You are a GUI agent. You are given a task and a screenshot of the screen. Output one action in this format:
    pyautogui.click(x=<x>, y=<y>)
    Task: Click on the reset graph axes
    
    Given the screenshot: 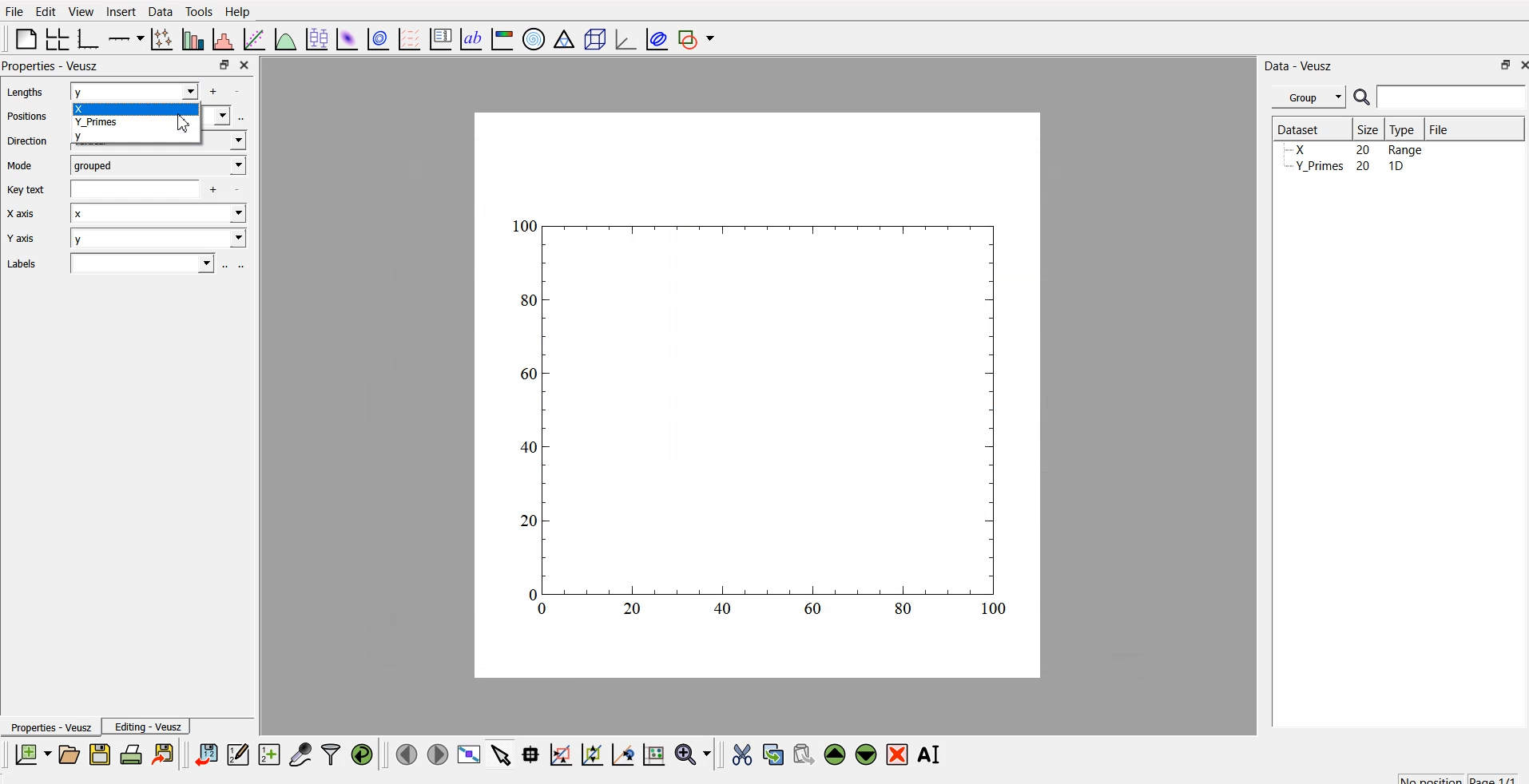 What is the action you would take?
    pyautogui.click(x=653, y=752)
    